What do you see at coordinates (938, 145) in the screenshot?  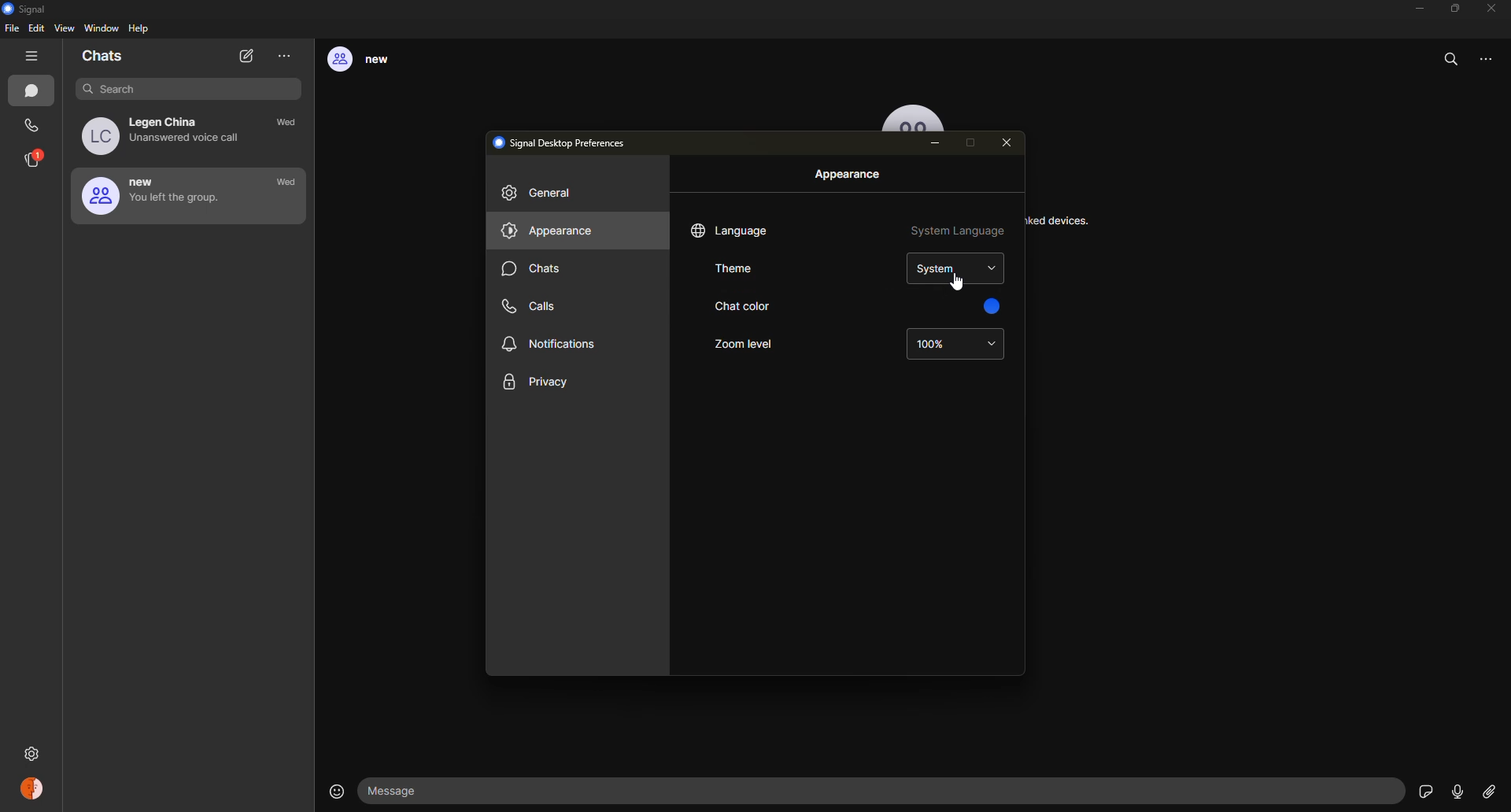 I see `minimize` at bounding box center [938, 145].